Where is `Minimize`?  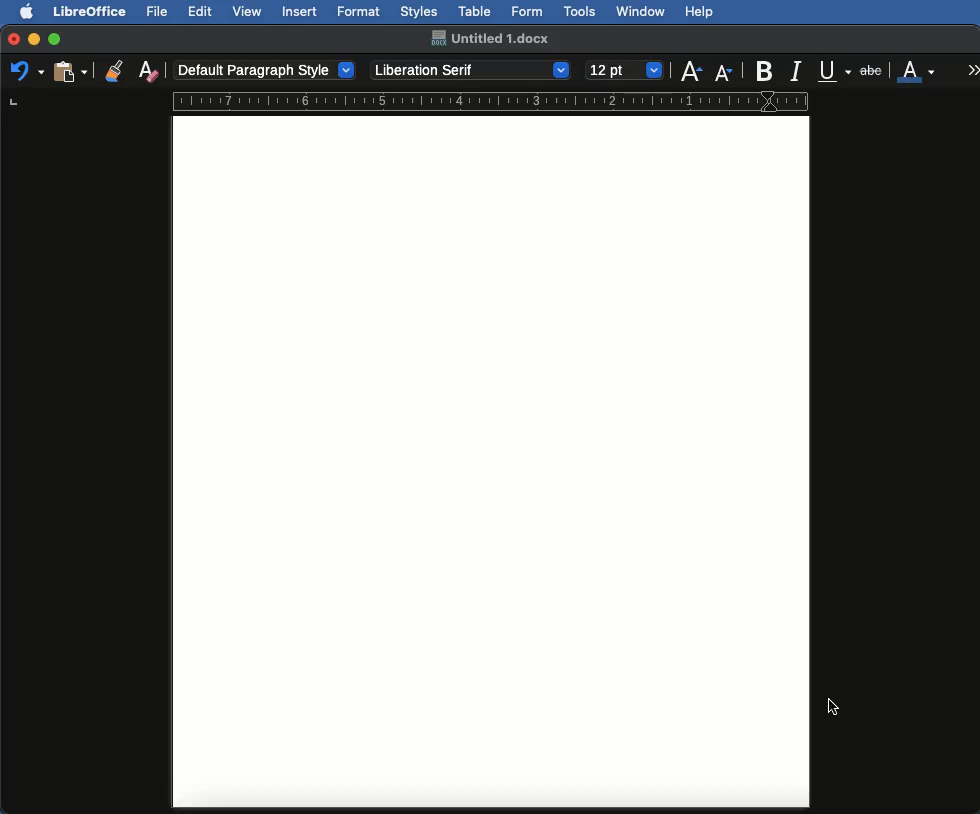 Minimize is located at coordinates (33, 39).